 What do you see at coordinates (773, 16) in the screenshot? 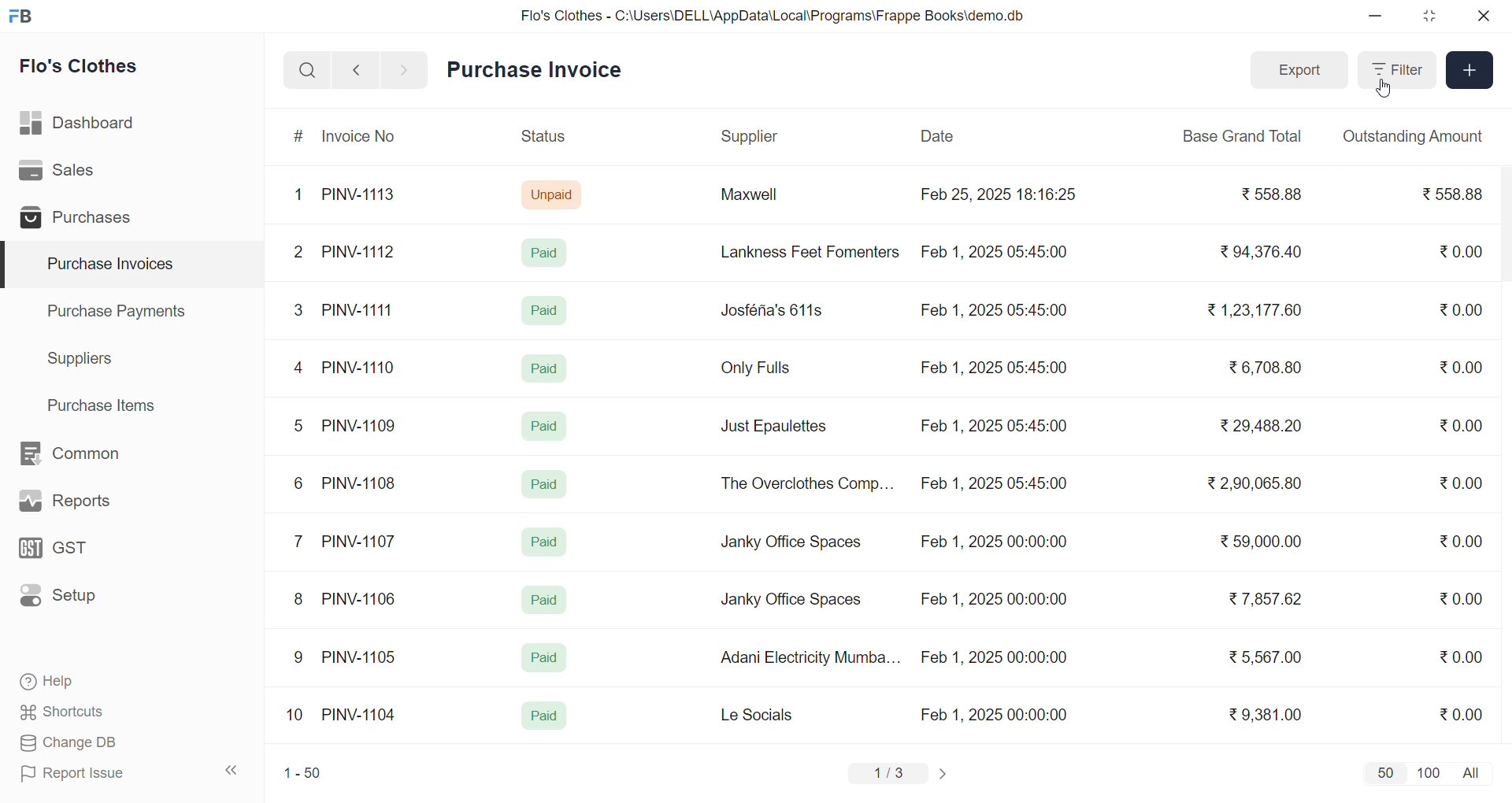
I see `Flo's Clothes - C:\Users\DELL\AppData\Local\Programs\Frappe Books\demo.db` at bounding box center [773, 16].